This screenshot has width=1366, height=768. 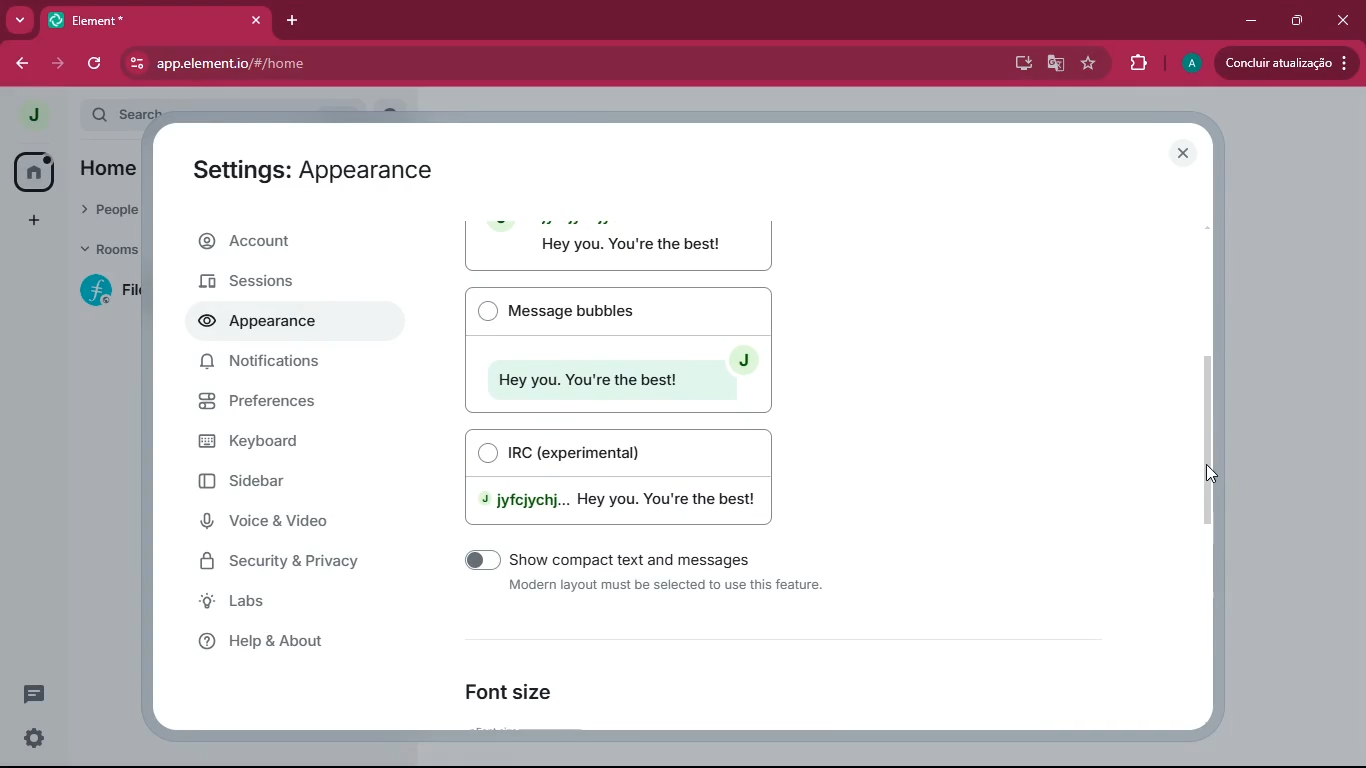 What do you see at coordinates (266, 283) in the screenshot?
I see `sessions` at bounding box center [266, 283].